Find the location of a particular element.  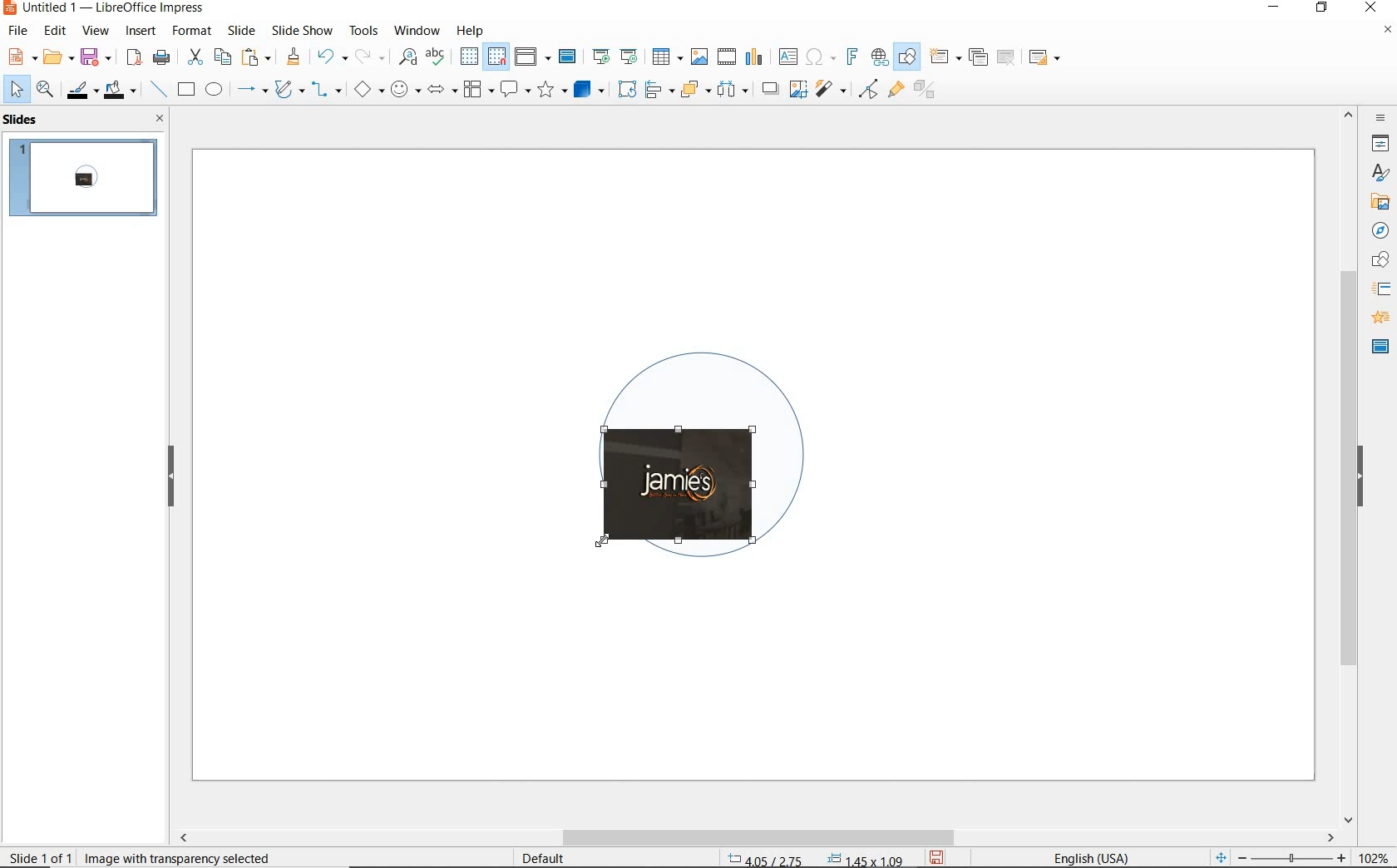

filter is located at coordinates (832, 86).